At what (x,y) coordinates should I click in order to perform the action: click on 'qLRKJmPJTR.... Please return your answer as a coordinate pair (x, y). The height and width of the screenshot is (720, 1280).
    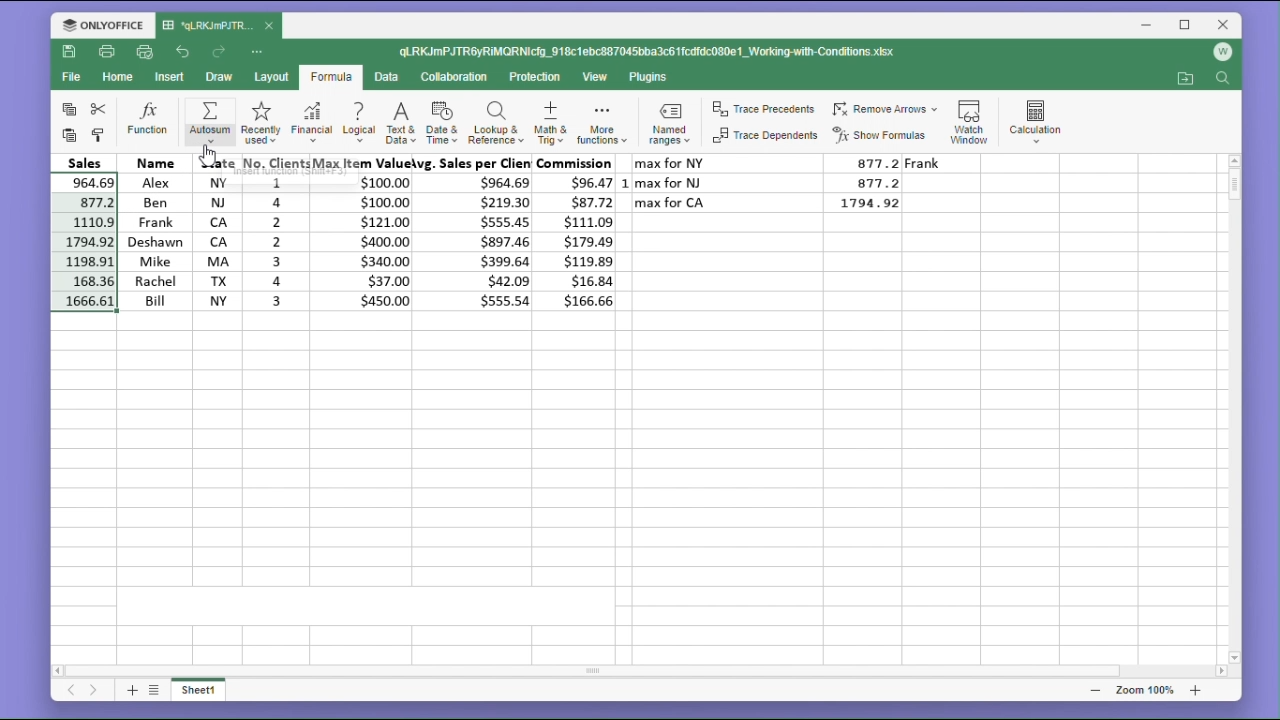
    Looking at the image, I should click on (208, 25).